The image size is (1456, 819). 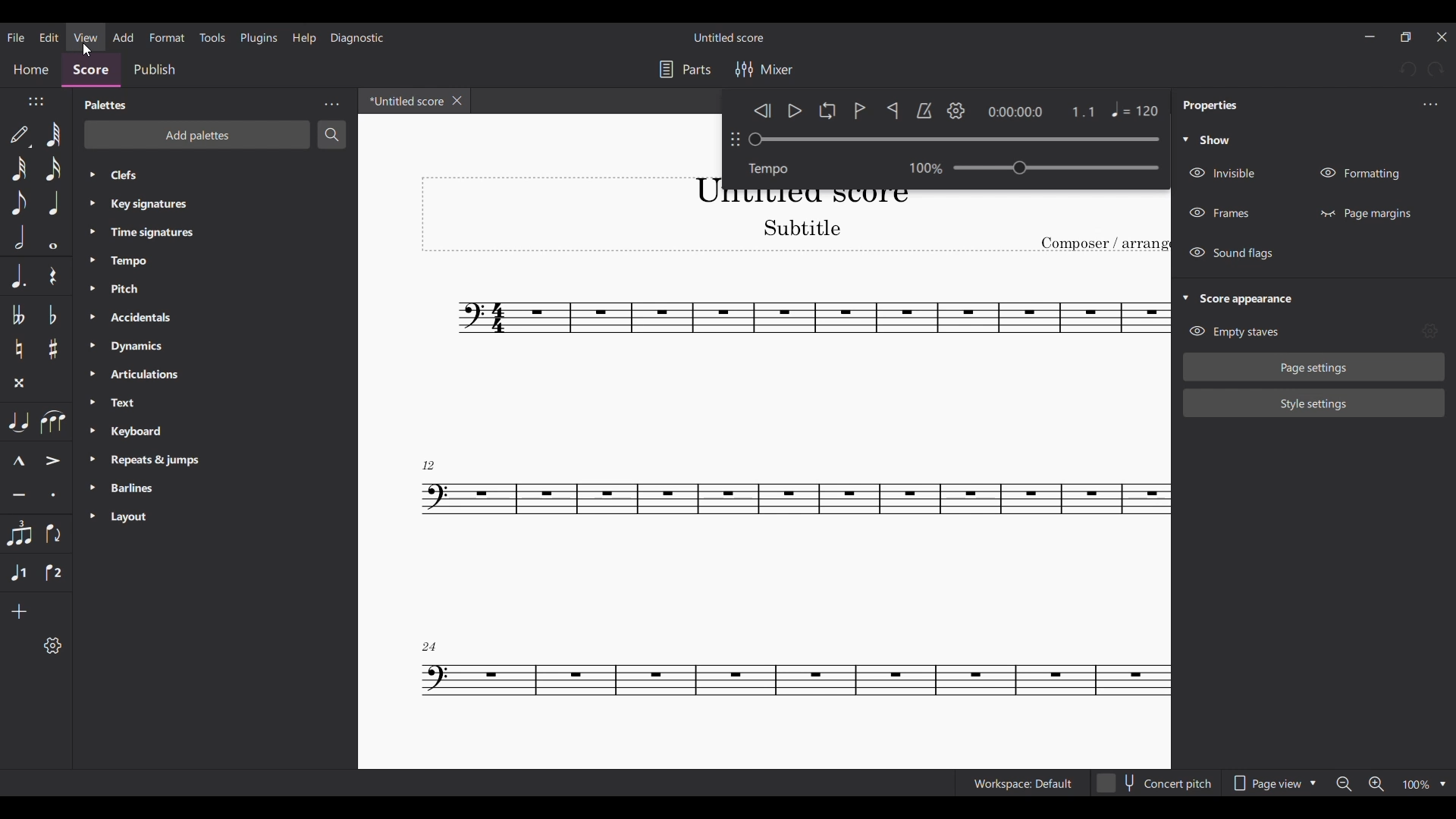 What do you see at coordinates (54, 168) in the screenshot?
I see `16th note` at bounding box center [54, 168].